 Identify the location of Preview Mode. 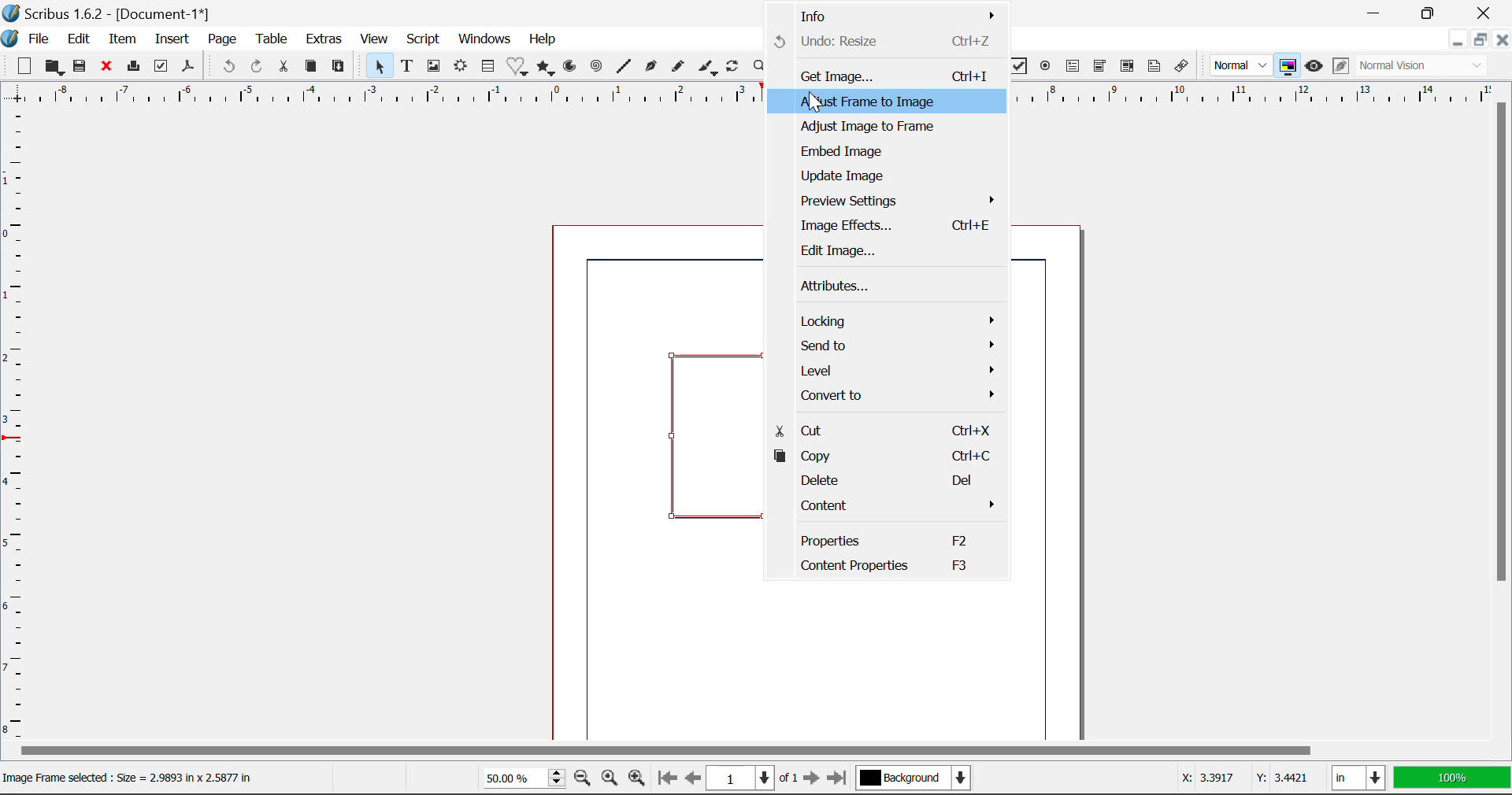
(1314, 66).